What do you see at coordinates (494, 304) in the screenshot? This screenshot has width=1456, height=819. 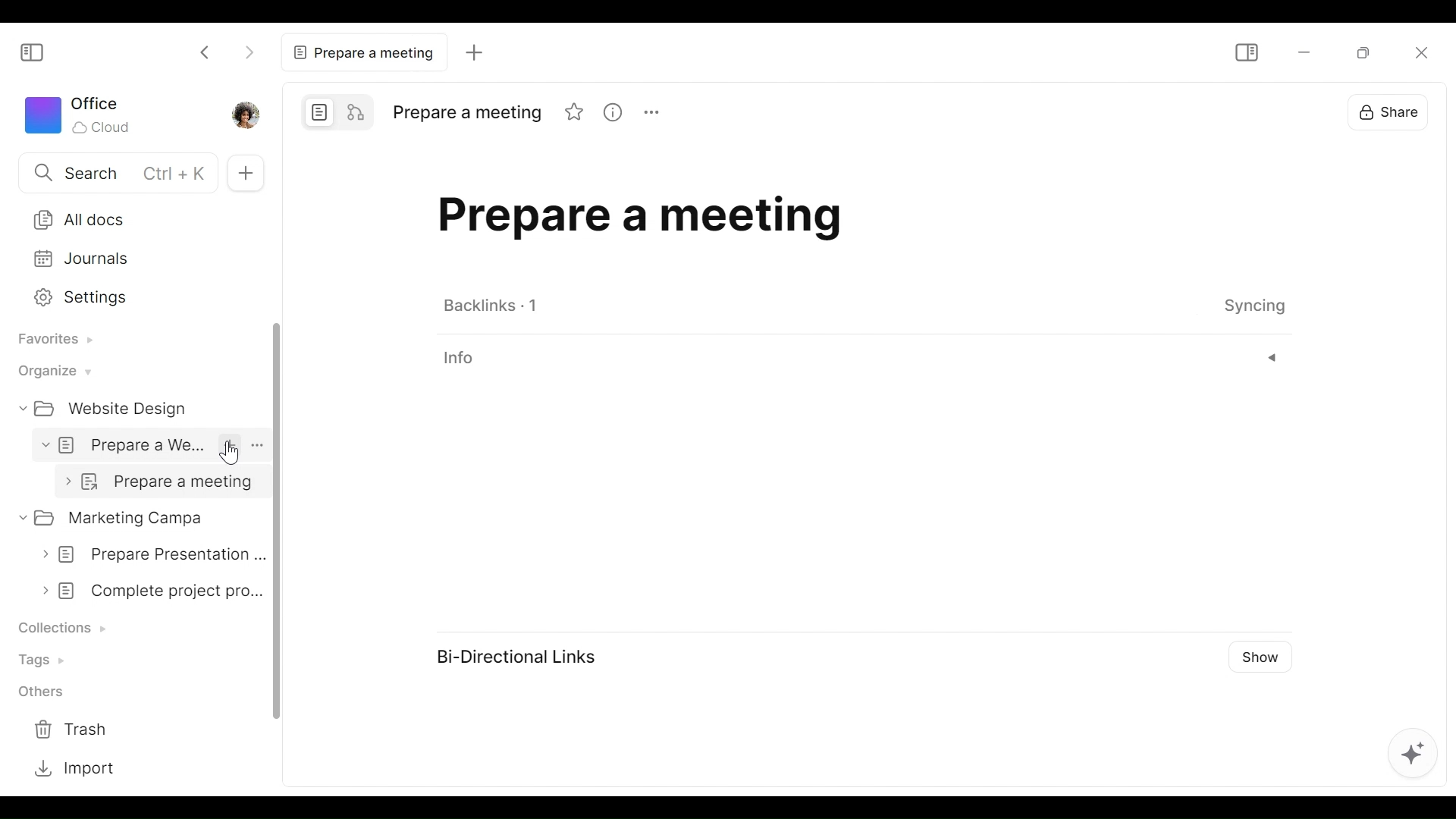 I see `Backlink` at bounding box center [494, 304].